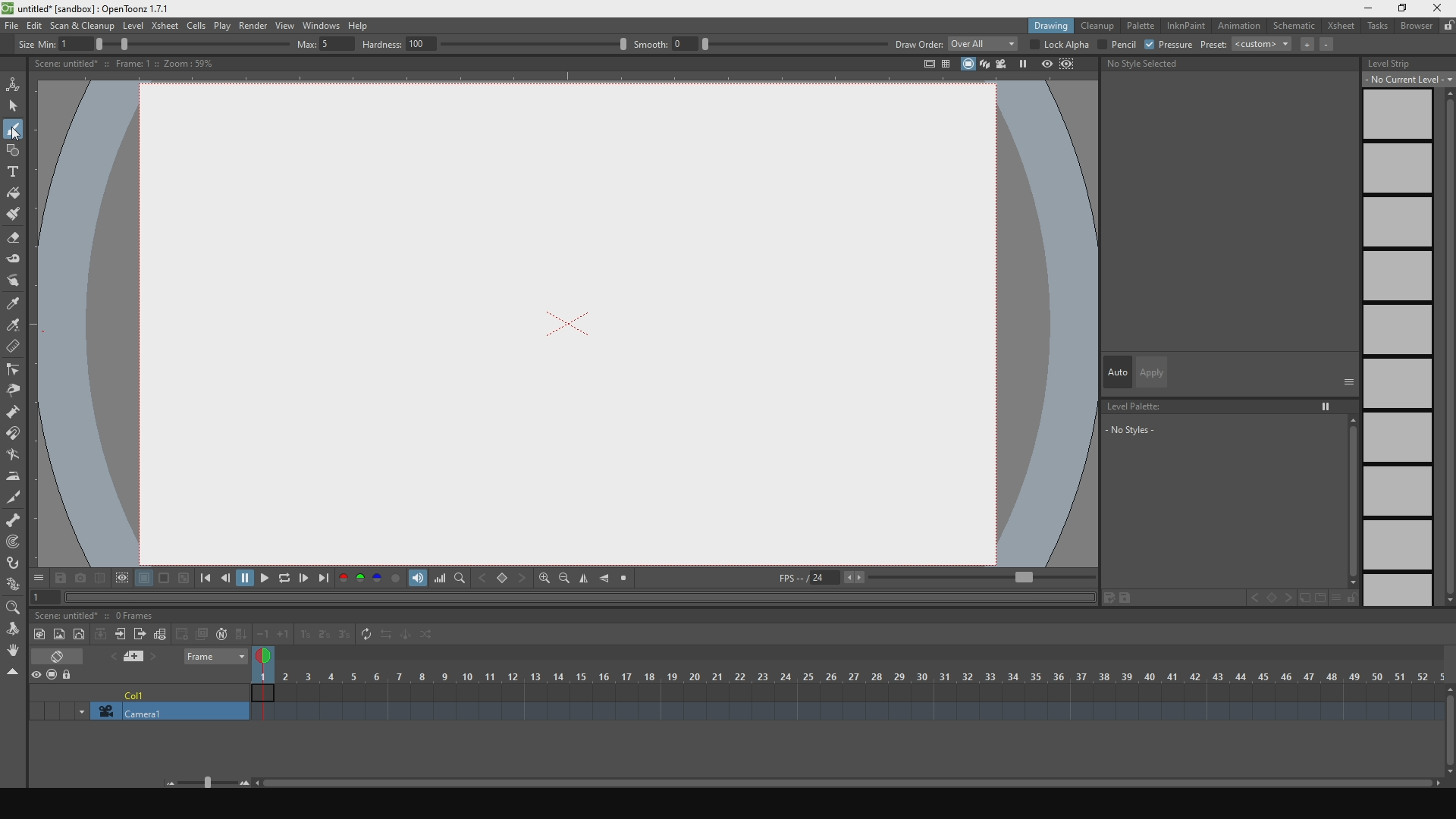  Describe the element at coordinates (14, 306) in the screenshot. I see `style select` at that location.